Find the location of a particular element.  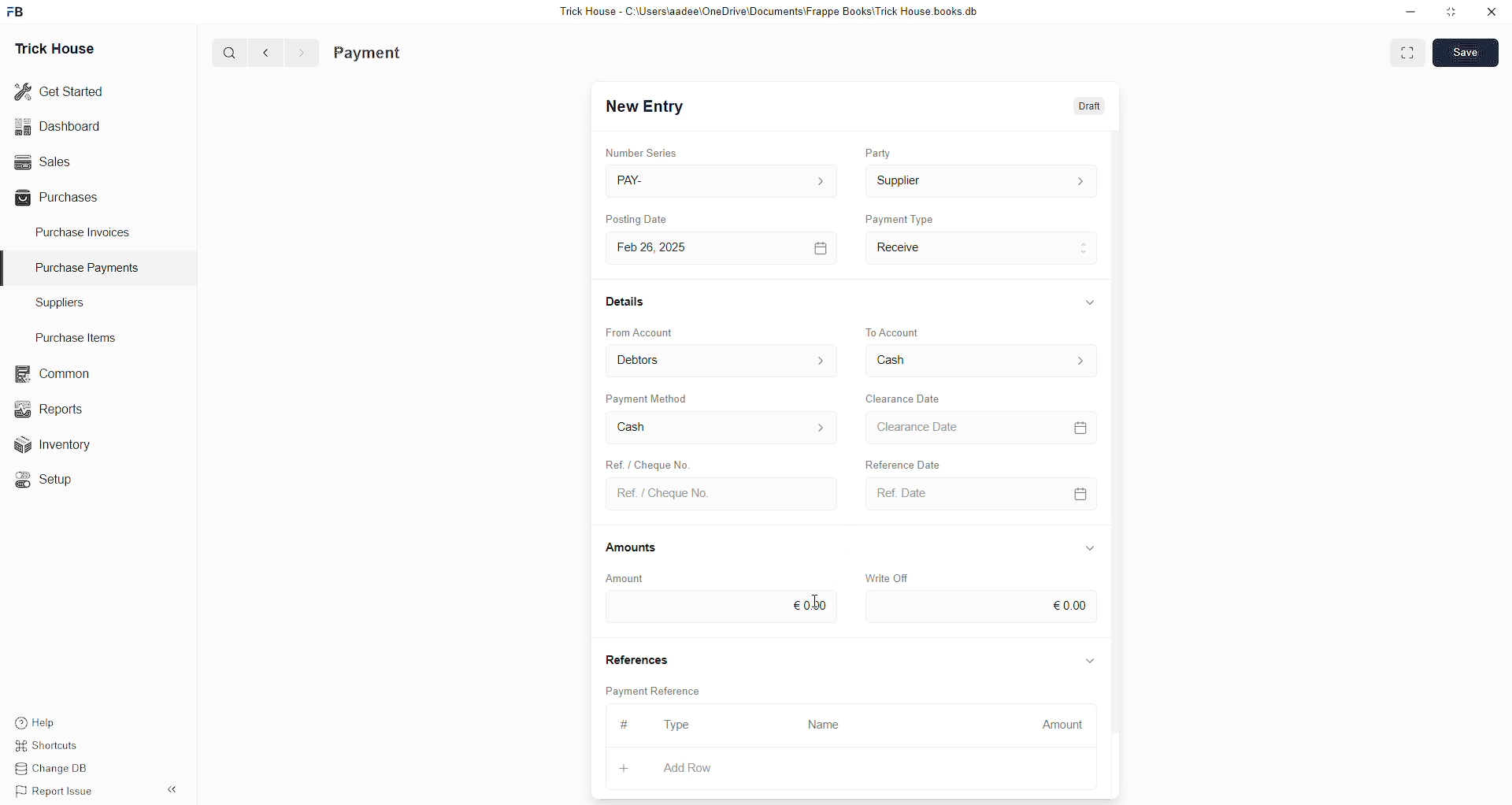

Maximize is located at coordinates (1452, 15).